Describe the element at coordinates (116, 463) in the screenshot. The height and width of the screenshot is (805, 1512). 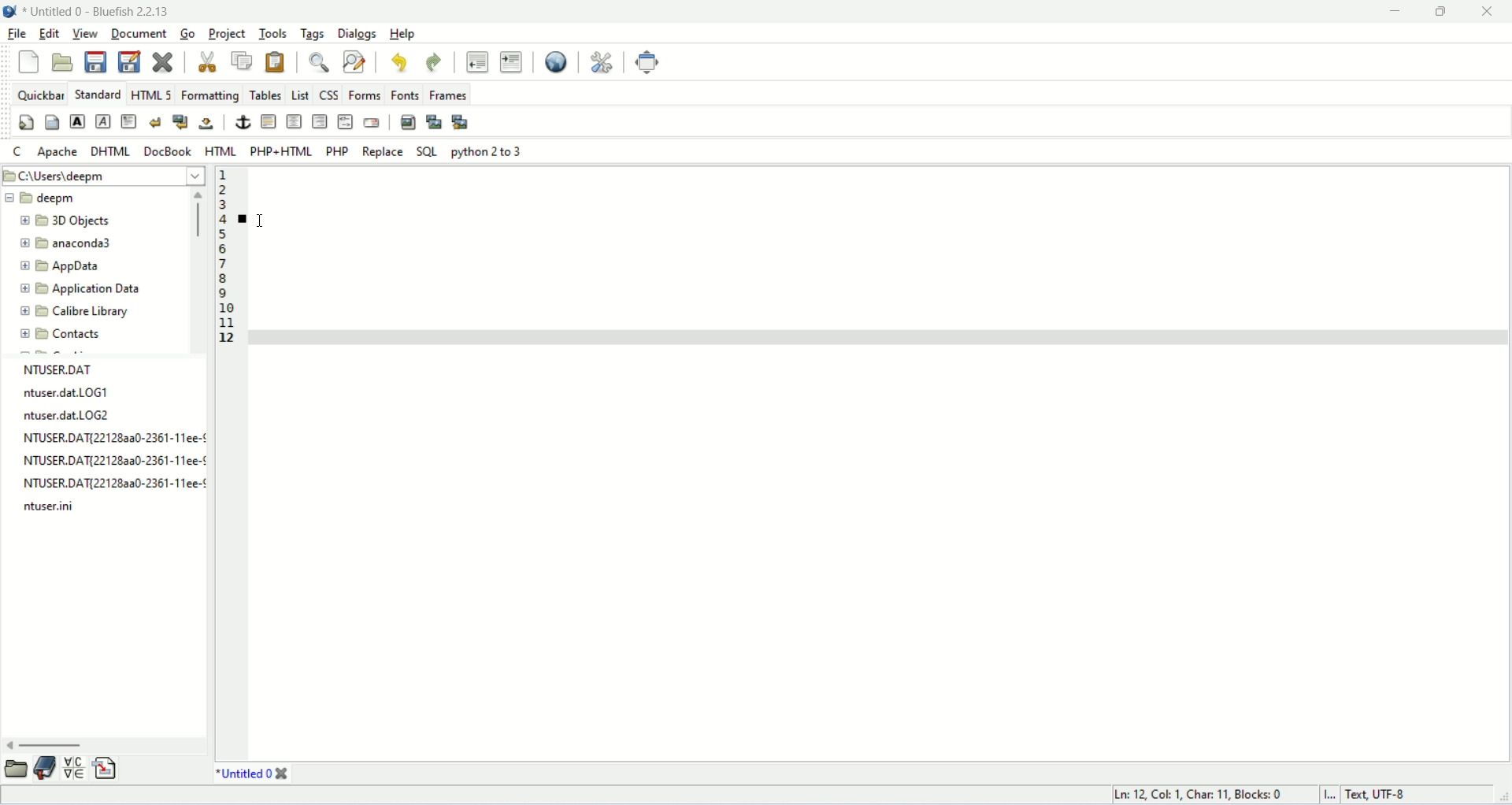
I see `NTUSER.DAT{22128AA0-2361-11EE-` at that location.